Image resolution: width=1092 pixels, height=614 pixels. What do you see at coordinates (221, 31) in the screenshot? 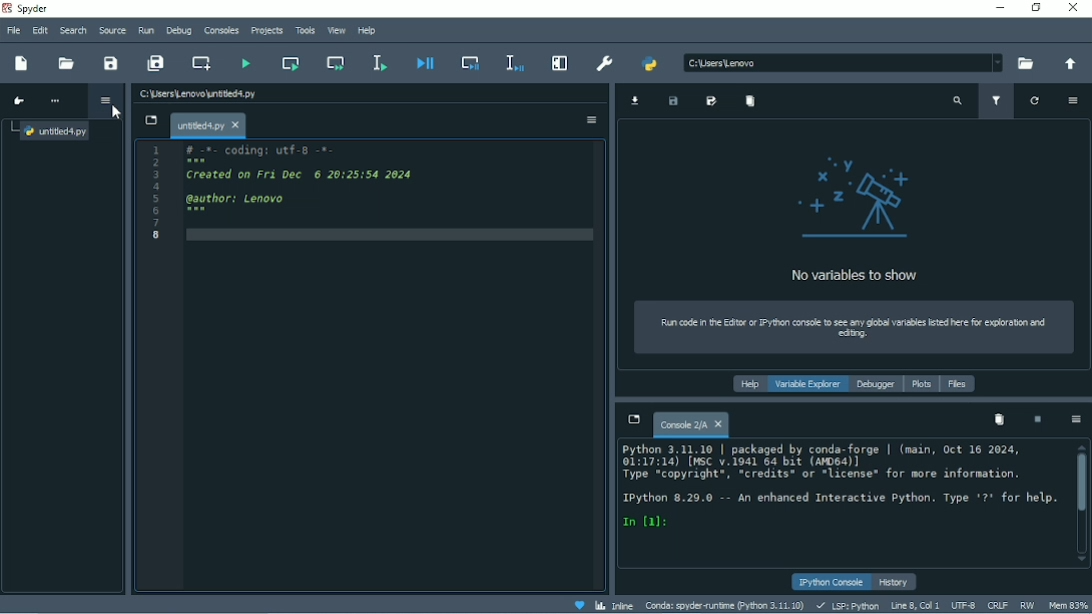
I see `Consoles` at bounding box center [221, 31].